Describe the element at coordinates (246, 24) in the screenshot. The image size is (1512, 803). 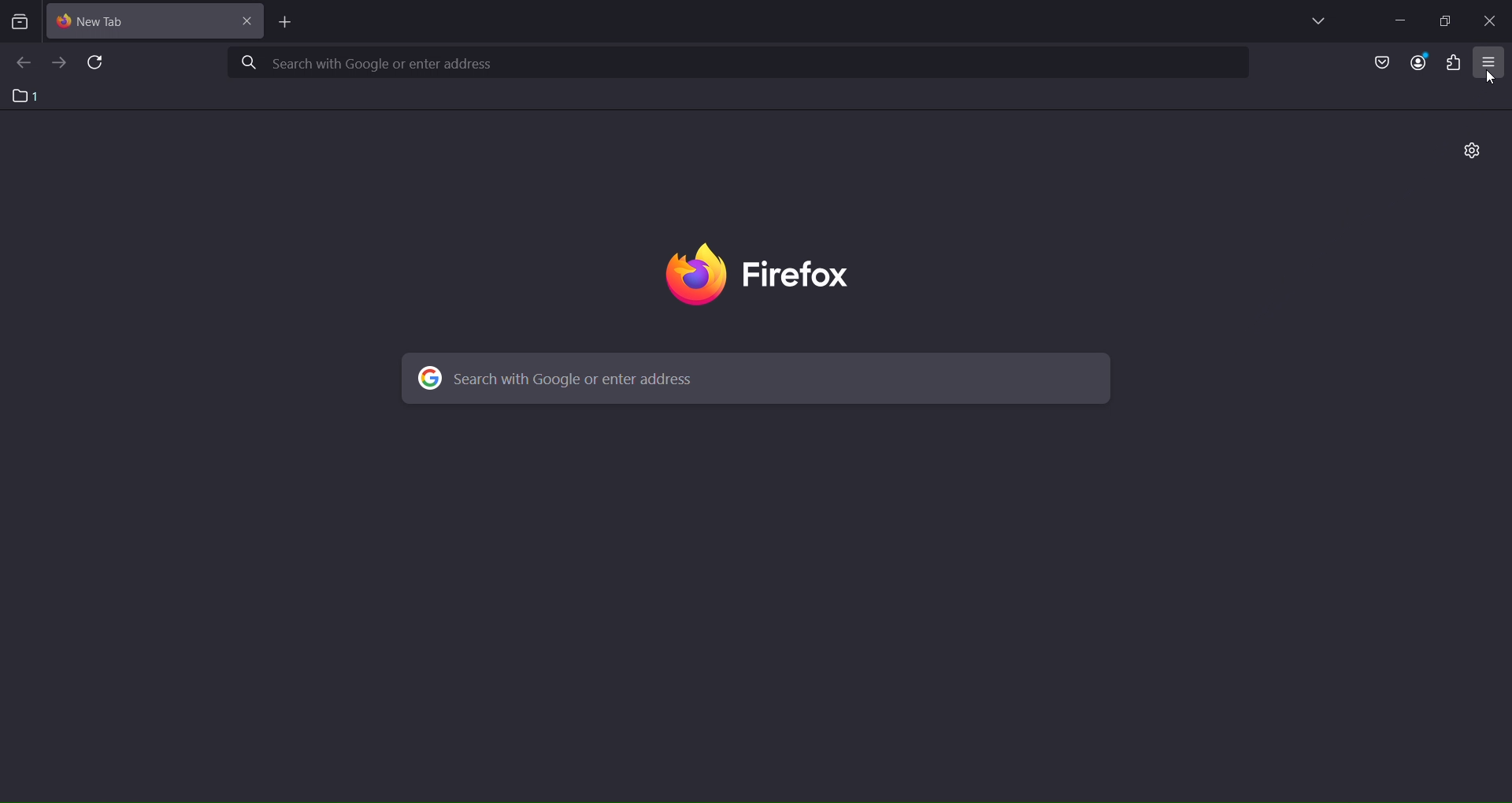
I see `close` at that location.